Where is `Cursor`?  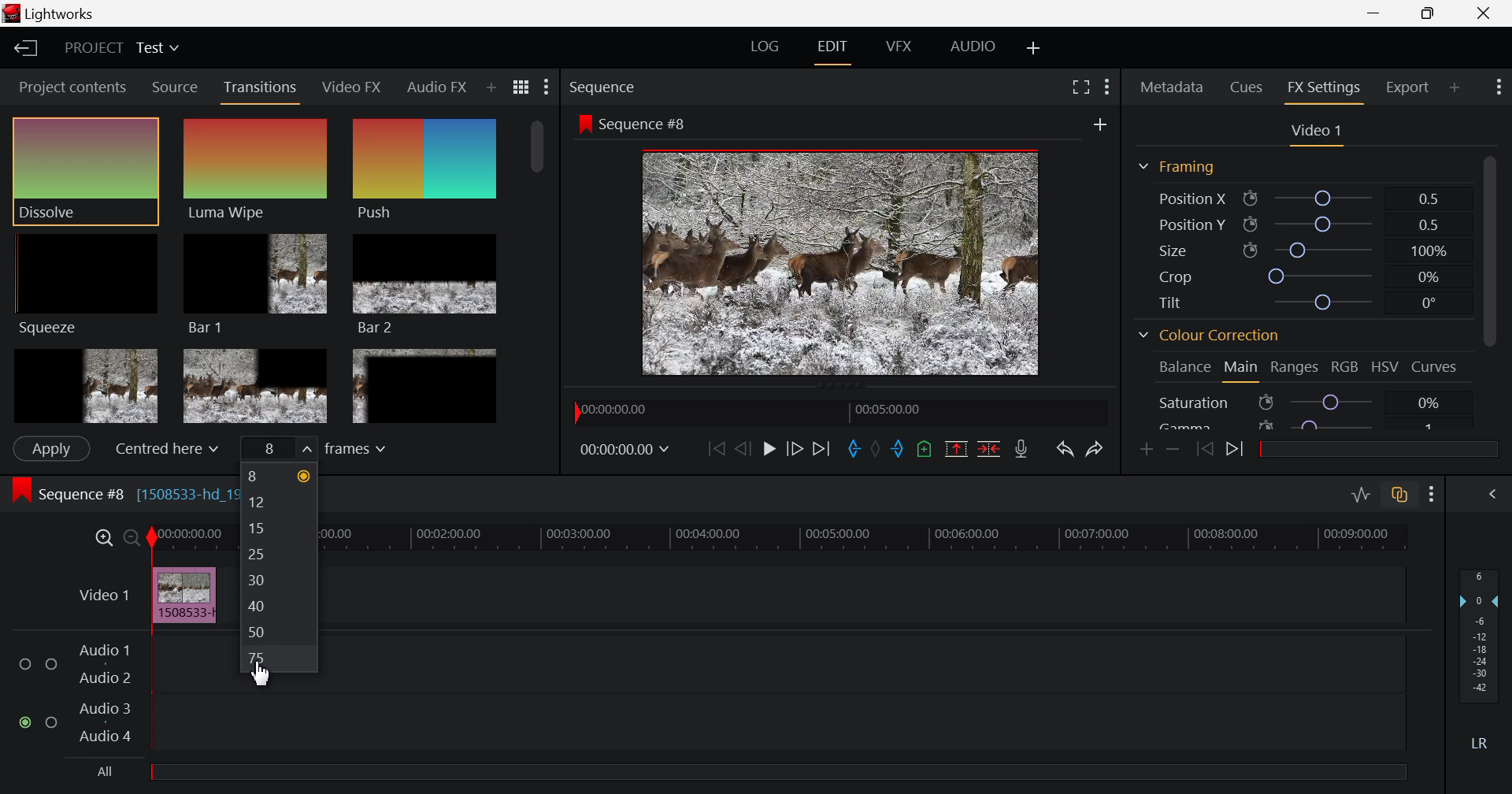
Cursor is located at coordinates (272, 677).